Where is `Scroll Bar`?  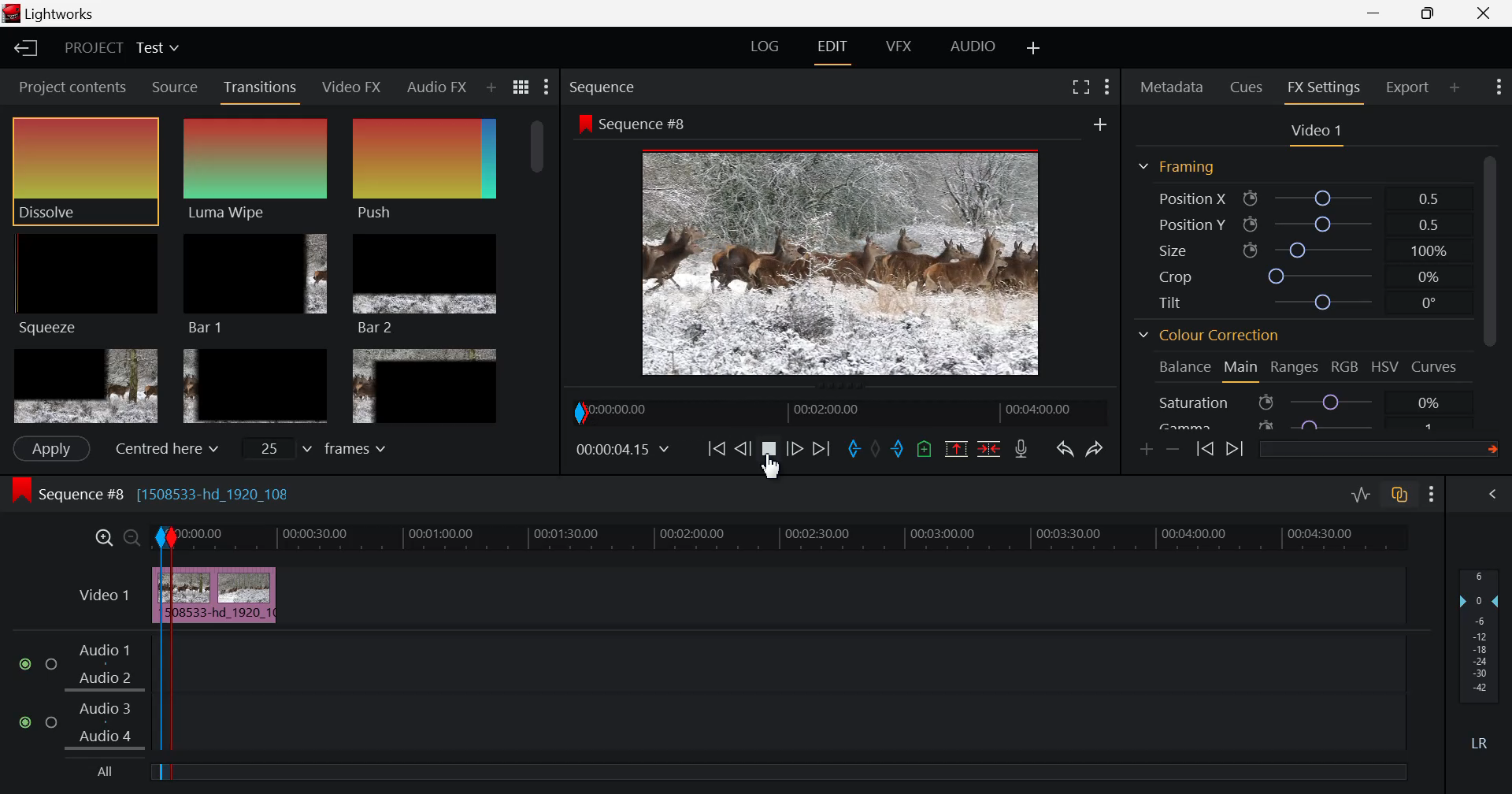
Scroll Bar is located at coordinates (1496, 284).